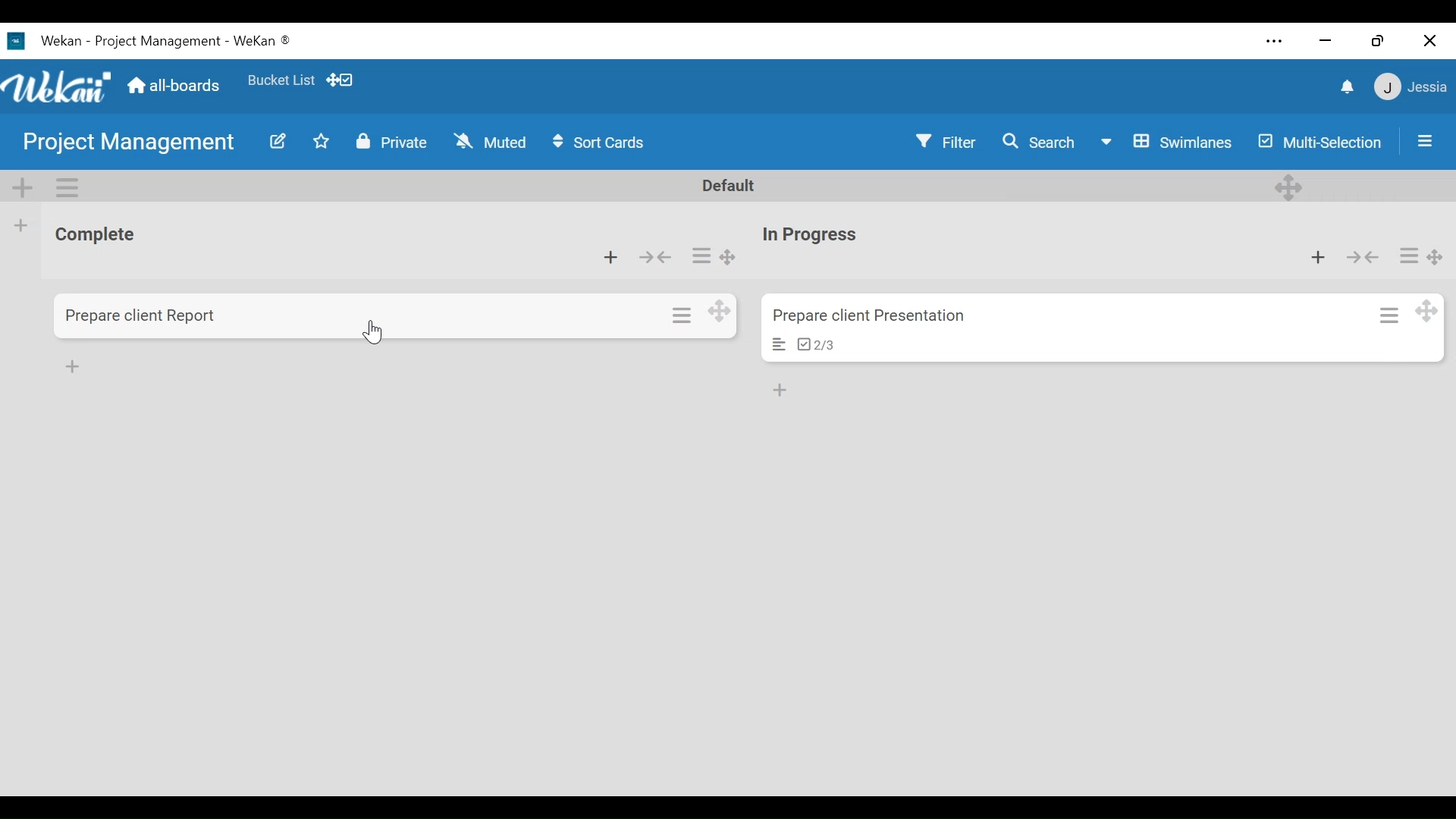 The height and width of the screenshot is (819, 1456). I want to click on Cursor, so click(376, 333).